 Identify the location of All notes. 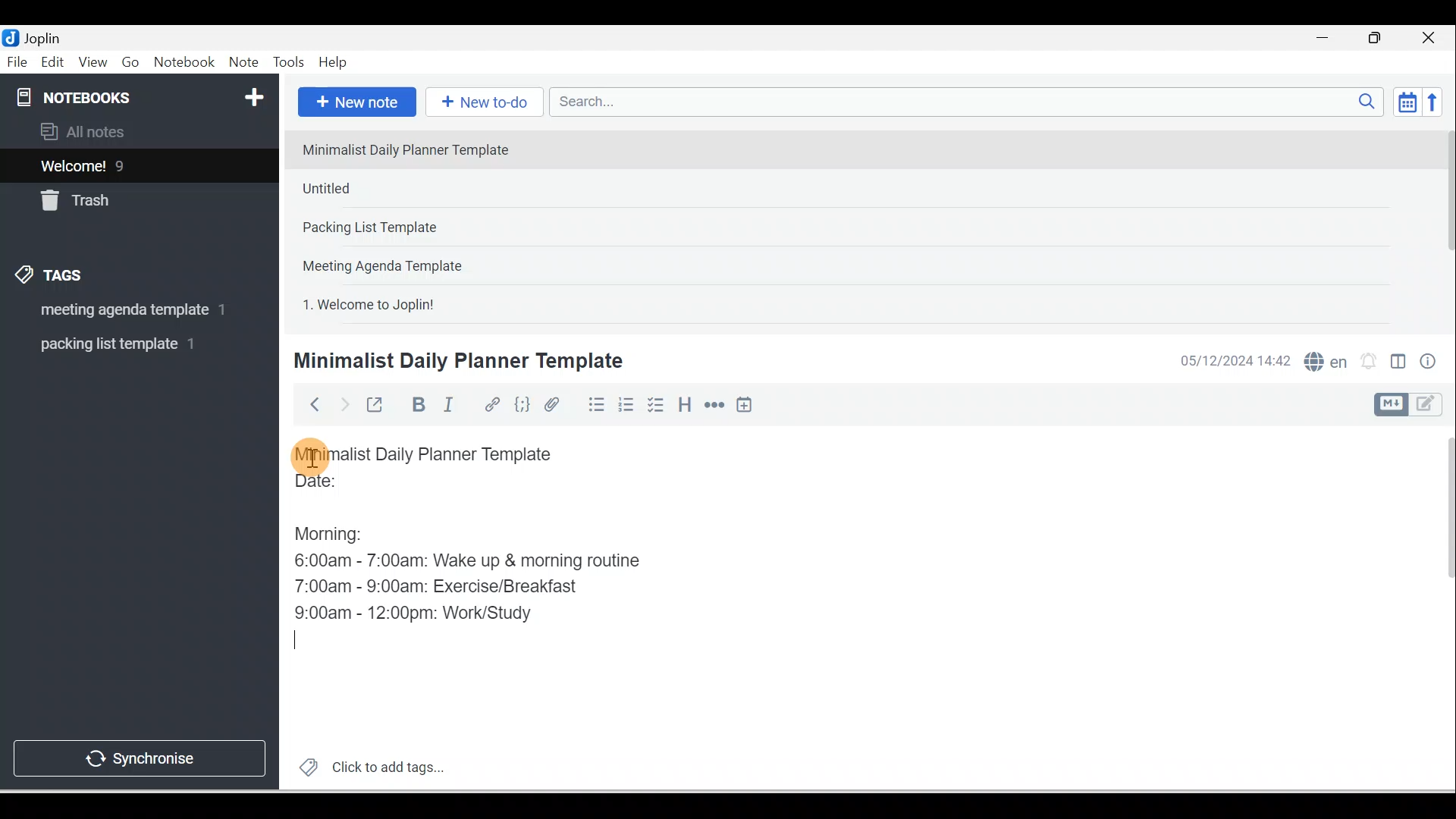
(137, 131).